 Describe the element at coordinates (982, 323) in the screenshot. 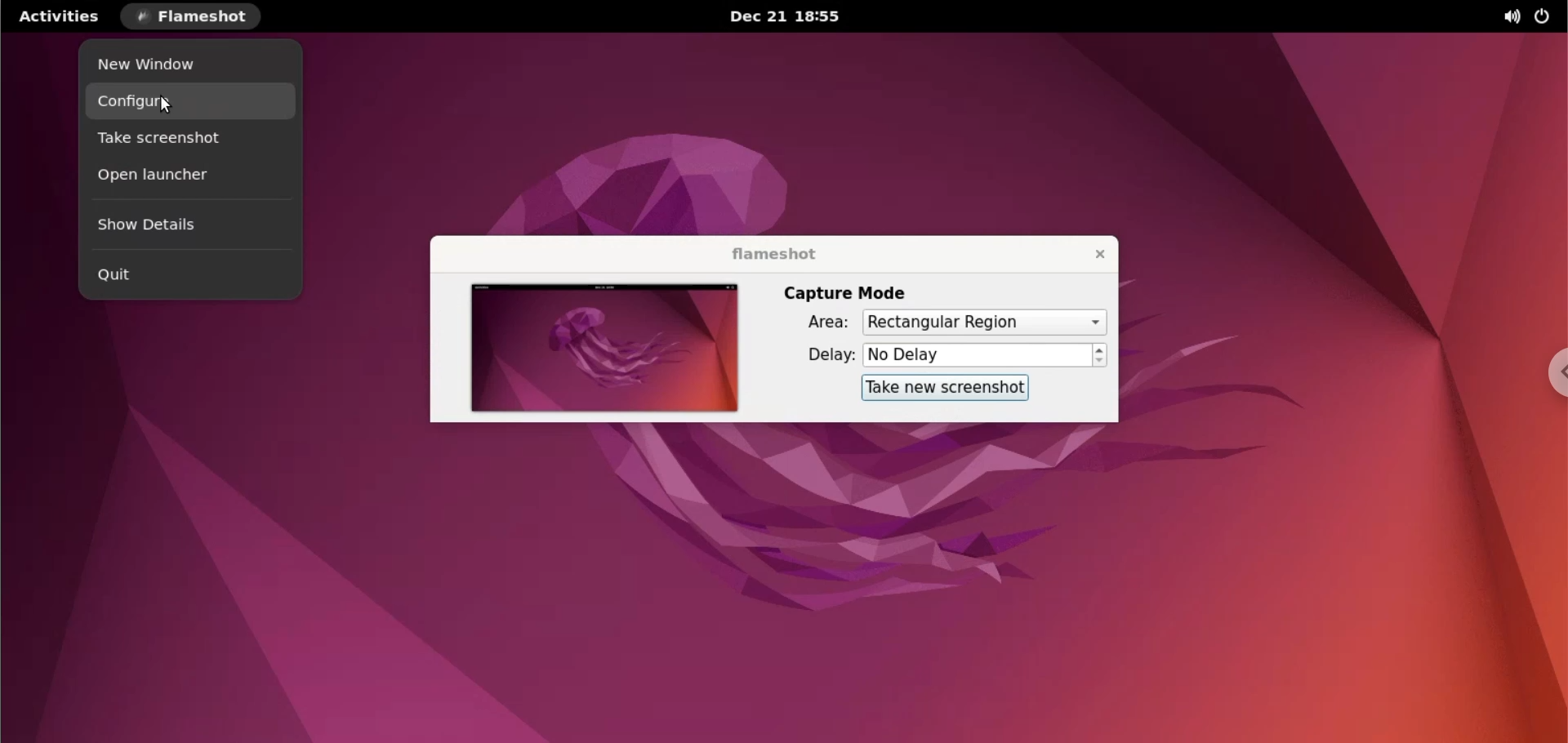

I see `Rectangular Region` at that location.